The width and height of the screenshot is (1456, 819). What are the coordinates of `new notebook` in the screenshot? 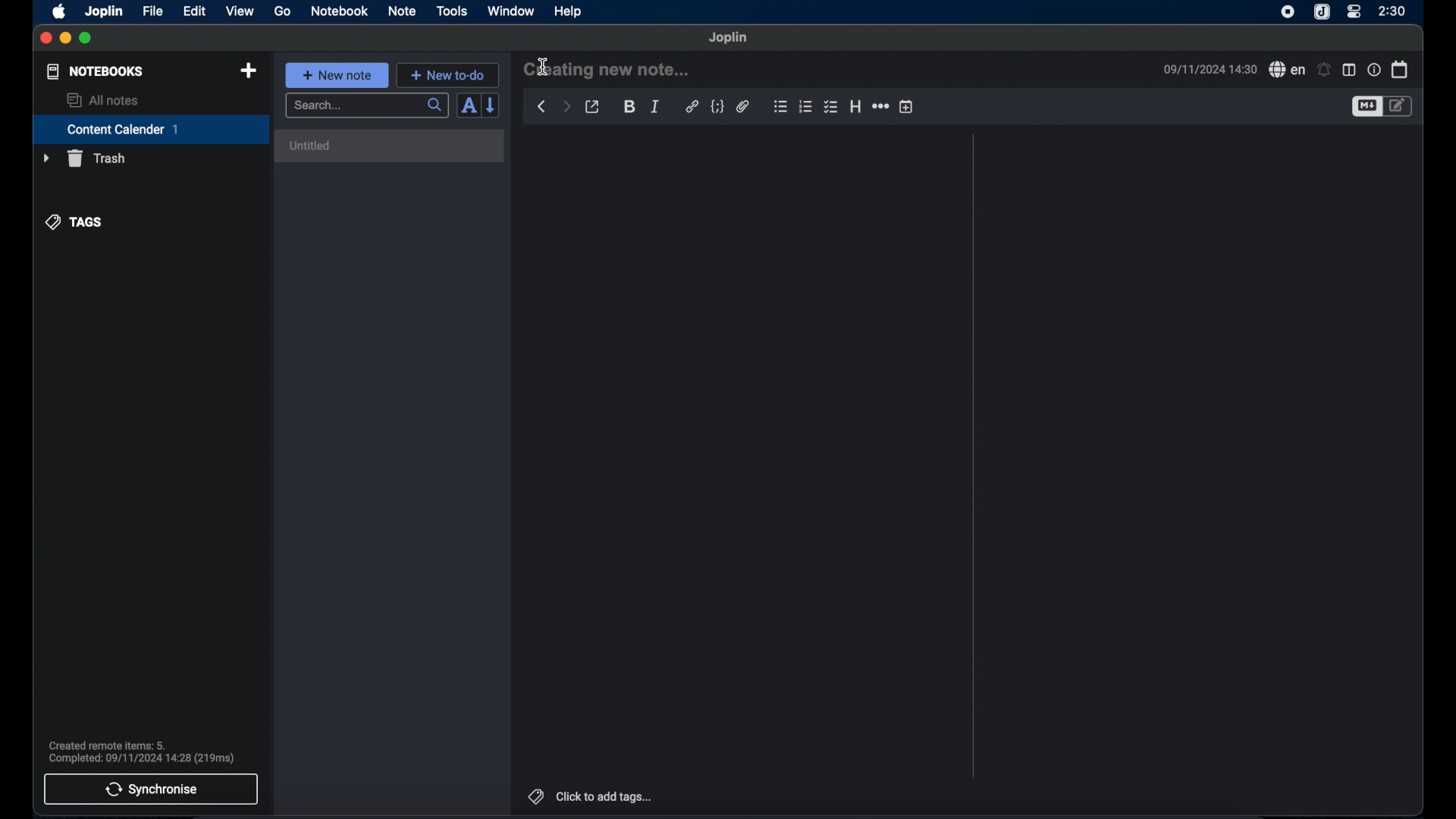 It's located at (249, 71).